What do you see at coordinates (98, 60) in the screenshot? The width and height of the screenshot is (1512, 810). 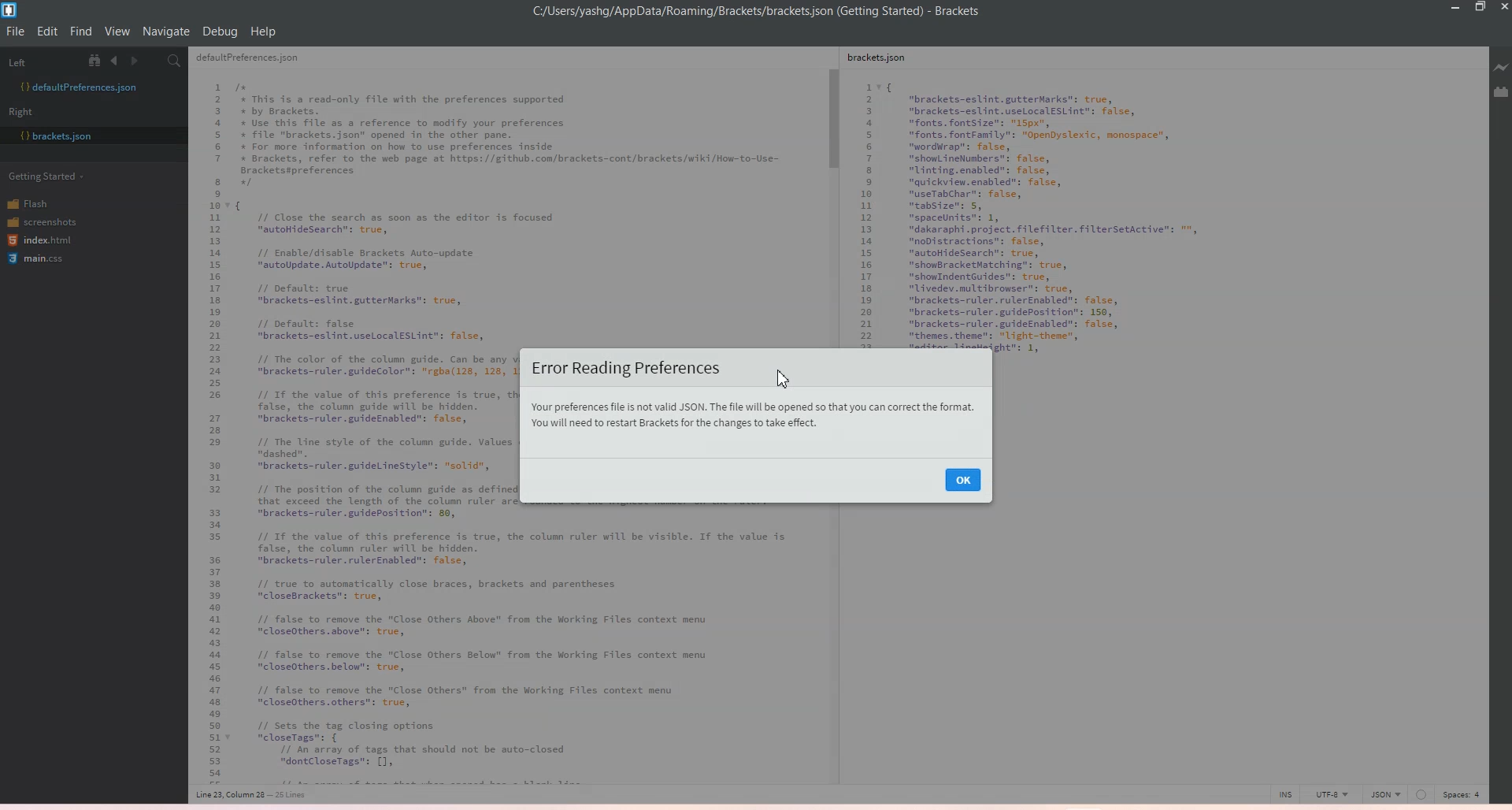 I see `Show in file tree` at bounding box center [98, 60].